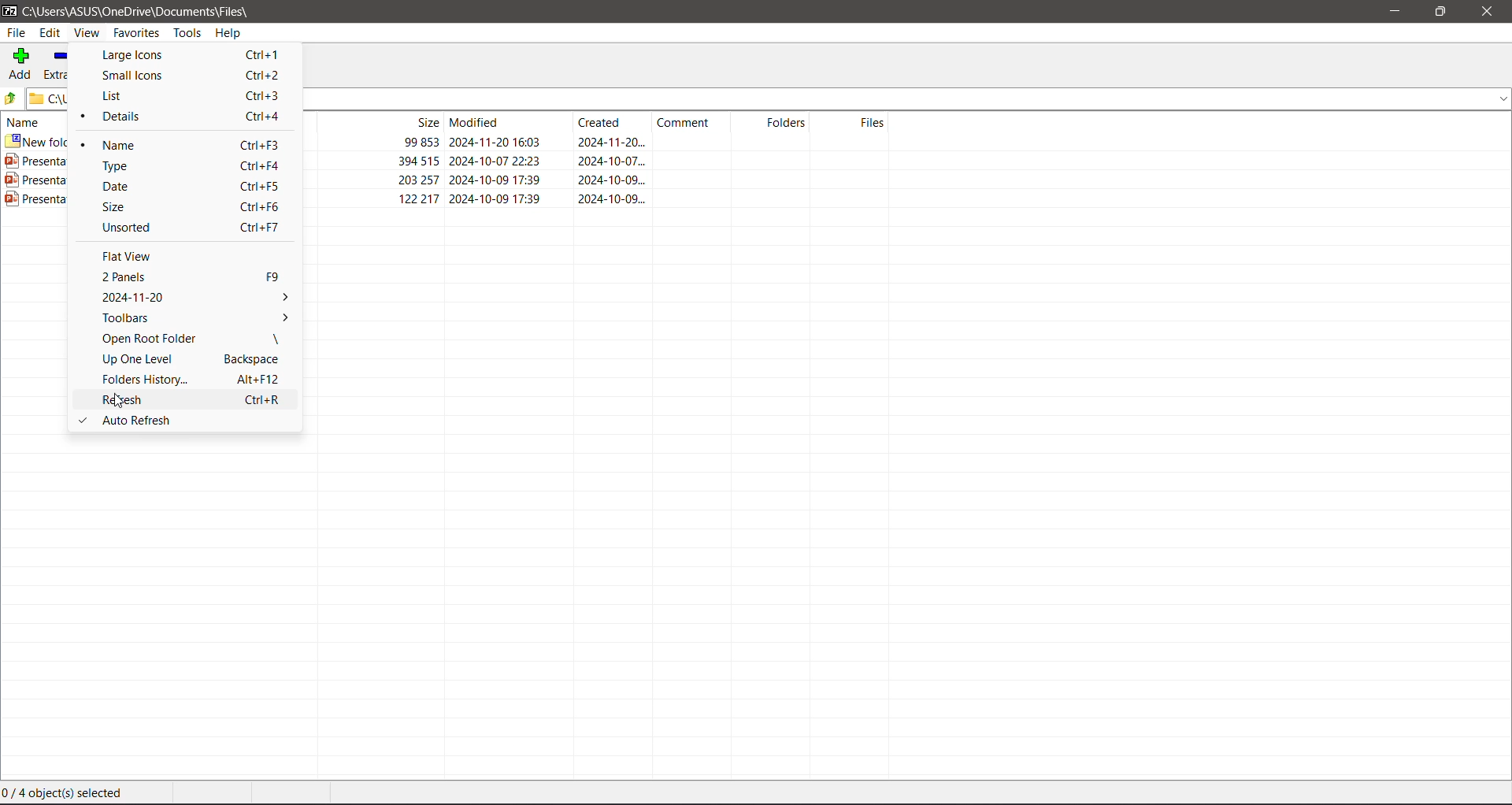 The image size is (1512, 805). I want to click on Ctrl+R, so click(267, 399).